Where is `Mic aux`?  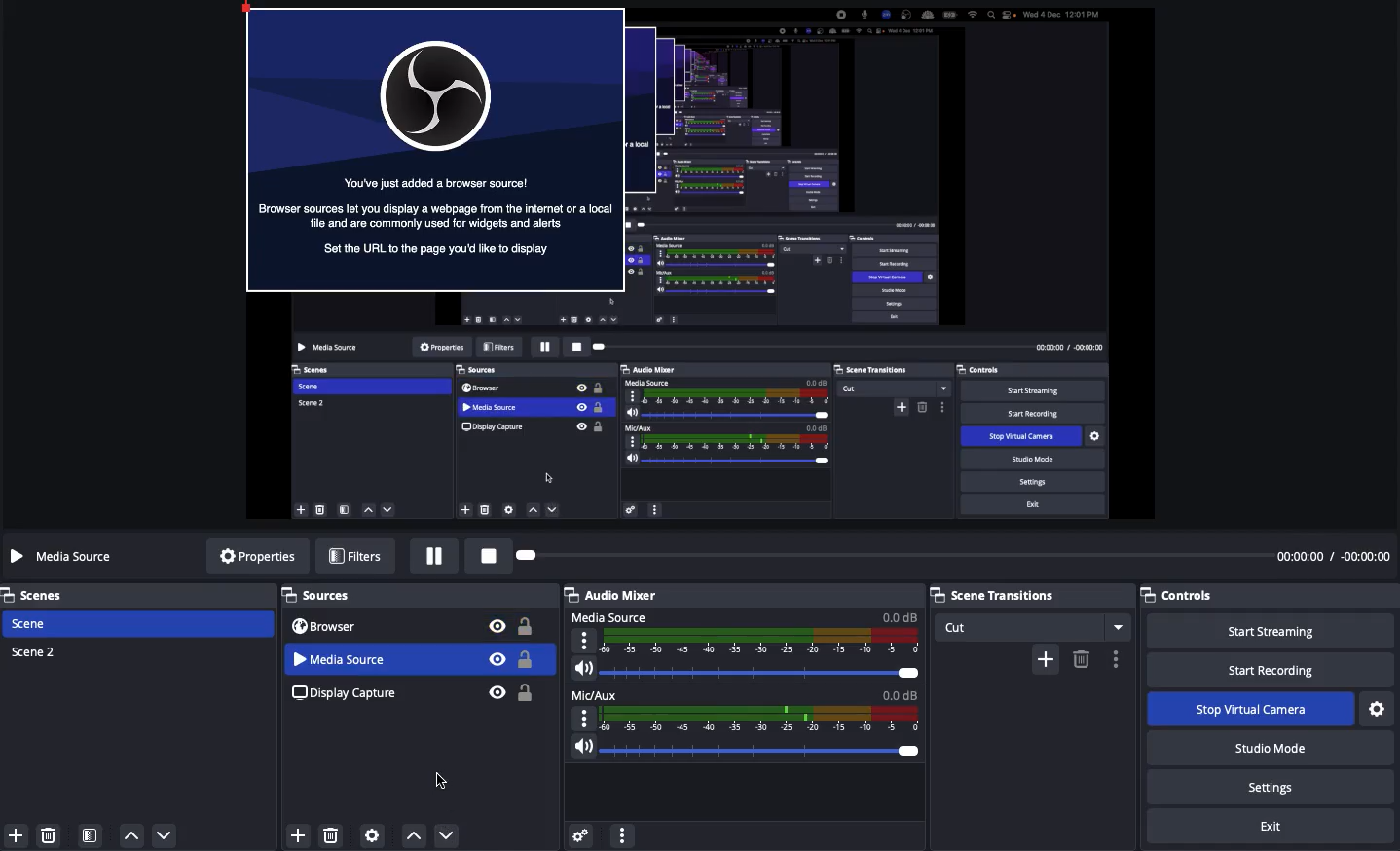
Mic aux is located at coordinates (747, 709).